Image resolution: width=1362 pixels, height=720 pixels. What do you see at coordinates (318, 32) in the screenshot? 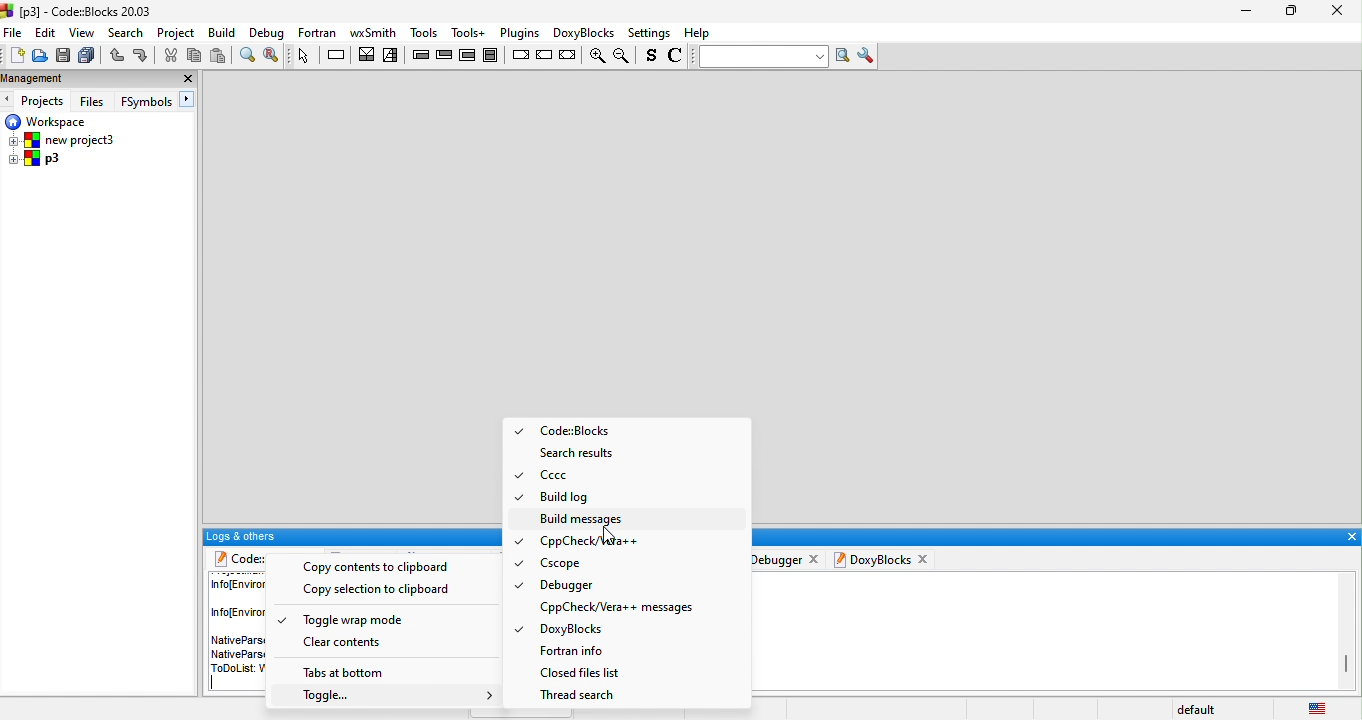
I see `fortan` at bounding box center [318, 32].